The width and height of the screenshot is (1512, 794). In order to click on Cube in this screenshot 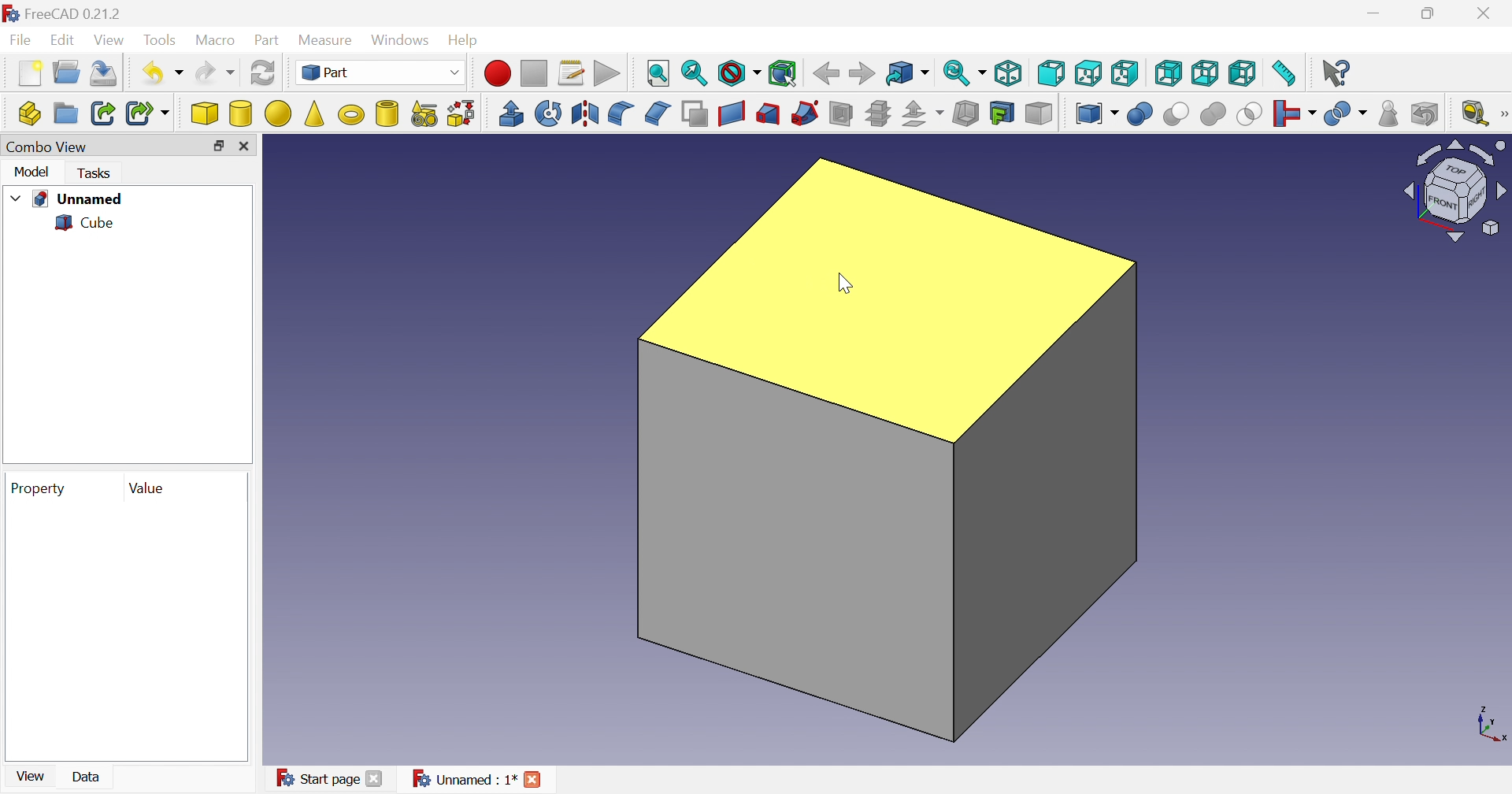, I will do `click(889, 451)`.